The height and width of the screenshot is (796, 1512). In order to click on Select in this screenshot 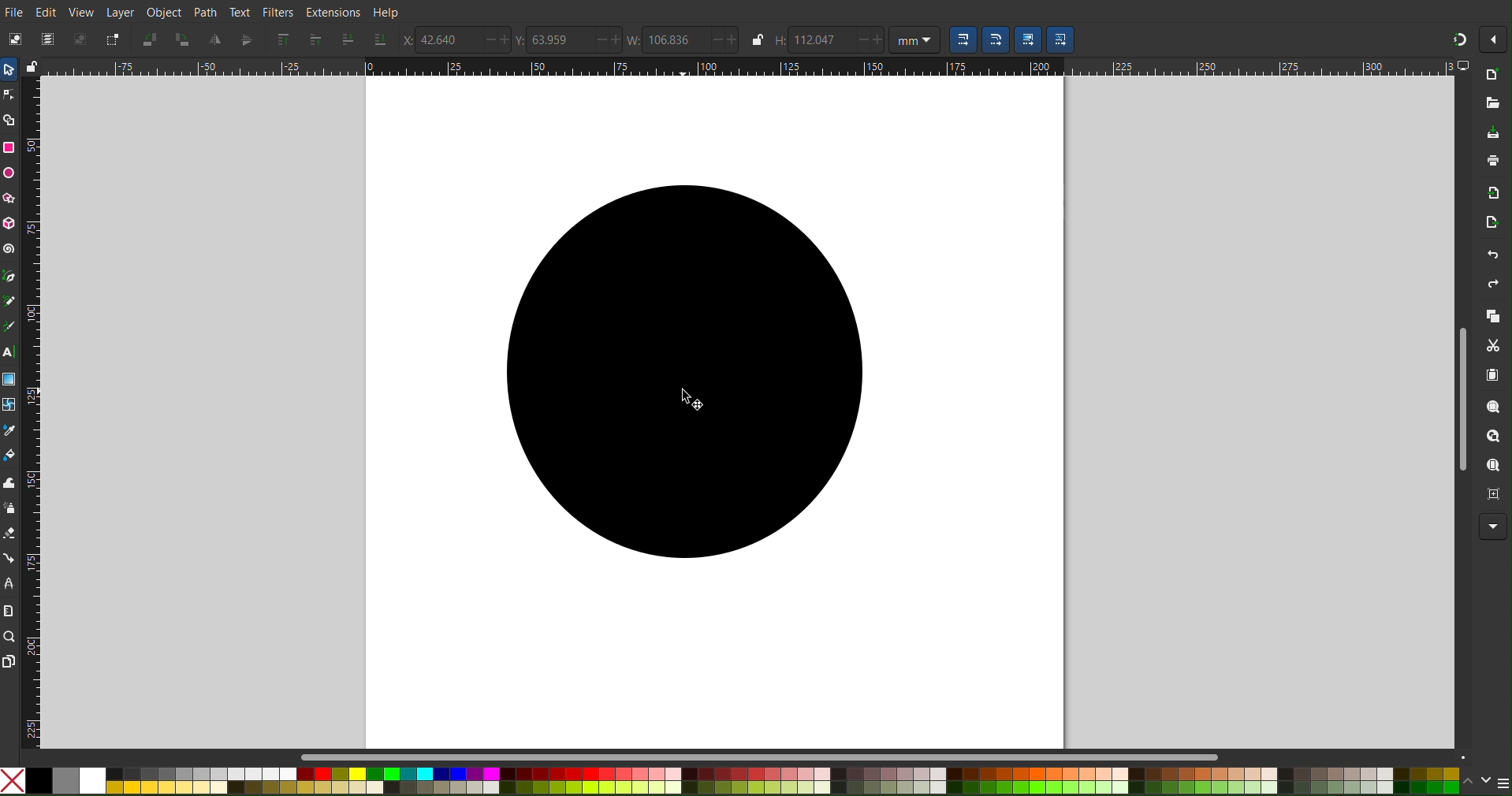, I will do `click(9, 69)`.